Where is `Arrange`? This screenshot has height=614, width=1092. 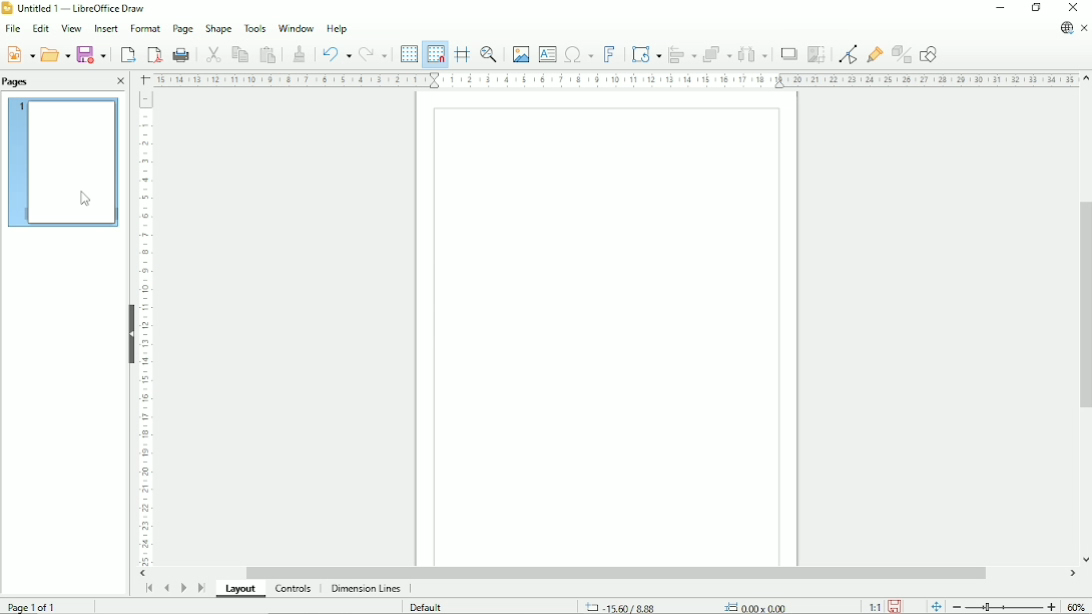 Arrange is located at coordinates (717, 54).